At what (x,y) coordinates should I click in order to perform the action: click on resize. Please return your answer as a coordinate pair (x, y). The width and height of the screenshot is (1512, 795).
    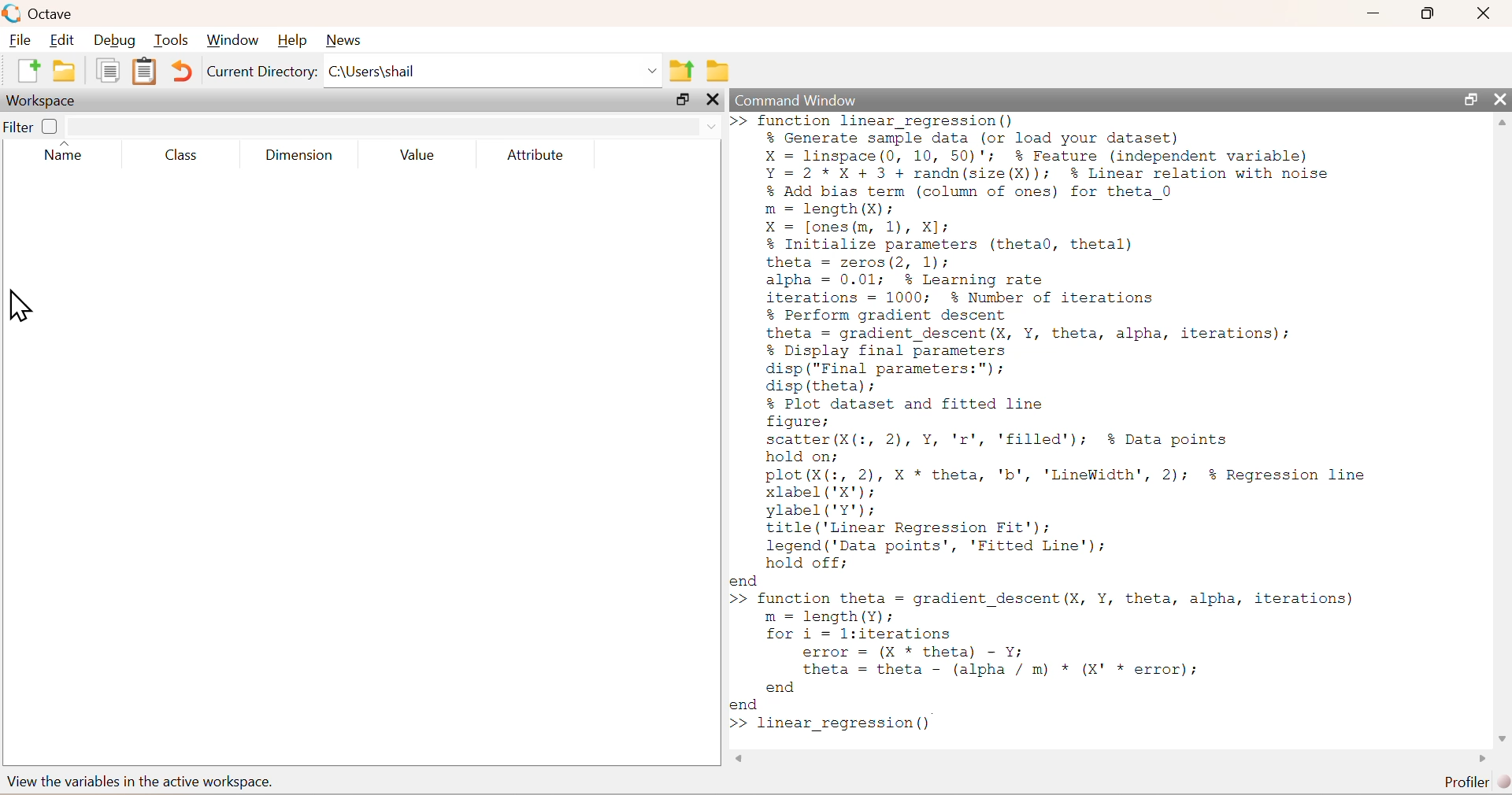
    Looking at the image, I should click on (1469, 99).